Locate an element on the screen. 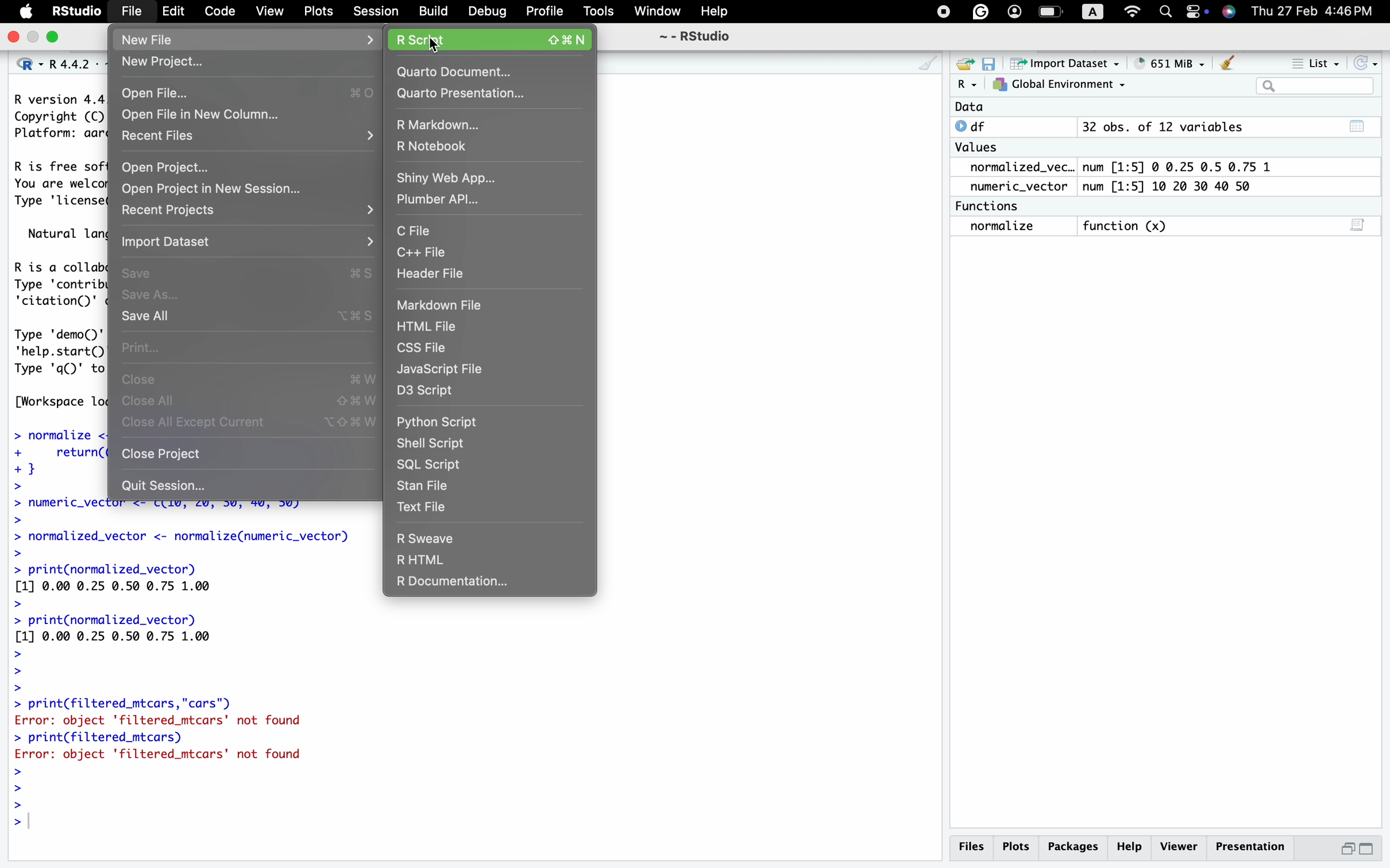 The width and height of the screenshot is (1390, 868). Save As is located at coordinates (181, 297).